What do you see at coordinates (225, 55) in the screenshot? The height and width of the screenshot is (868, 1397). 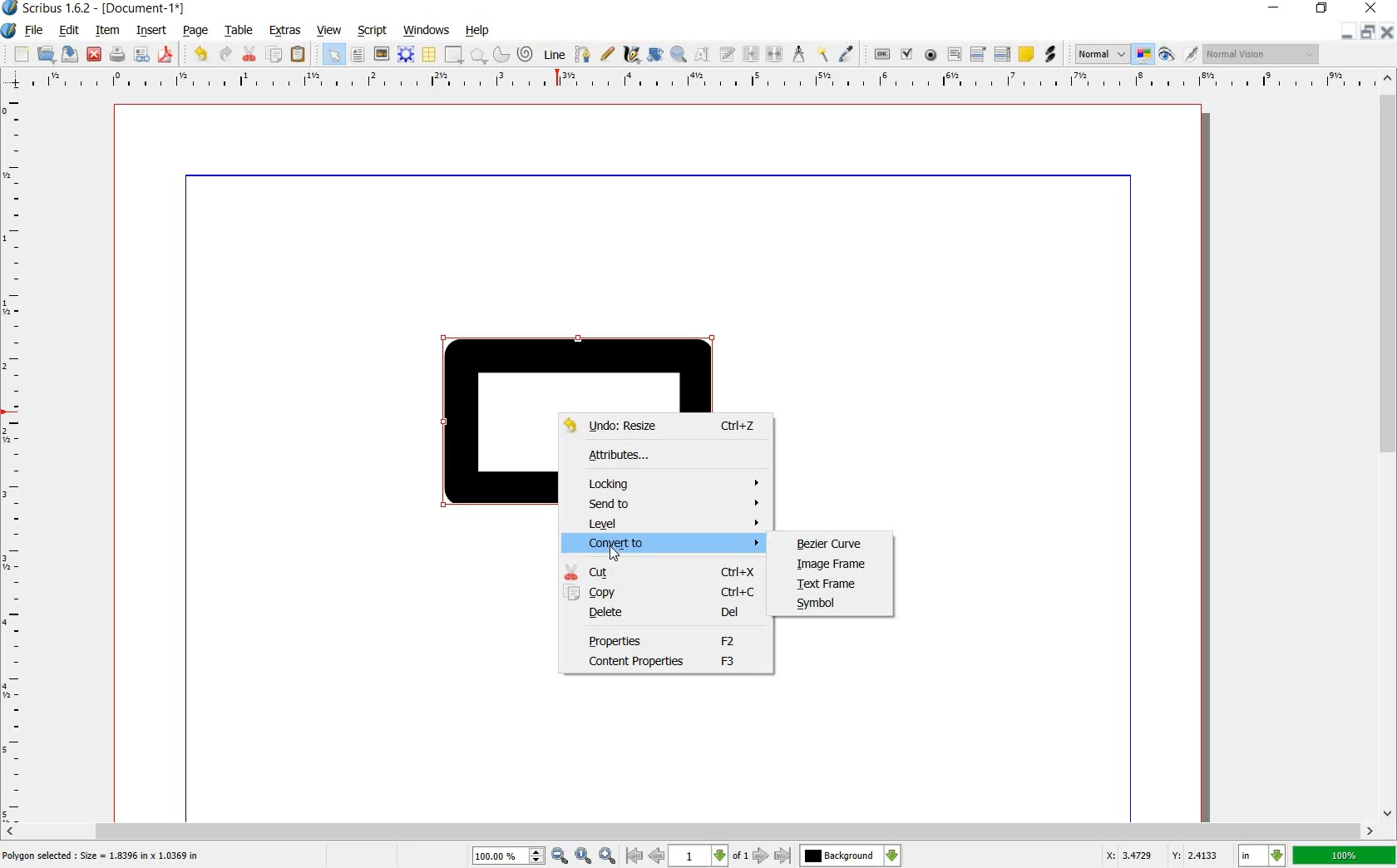 I see `redo` at bounding box center [225, 55].